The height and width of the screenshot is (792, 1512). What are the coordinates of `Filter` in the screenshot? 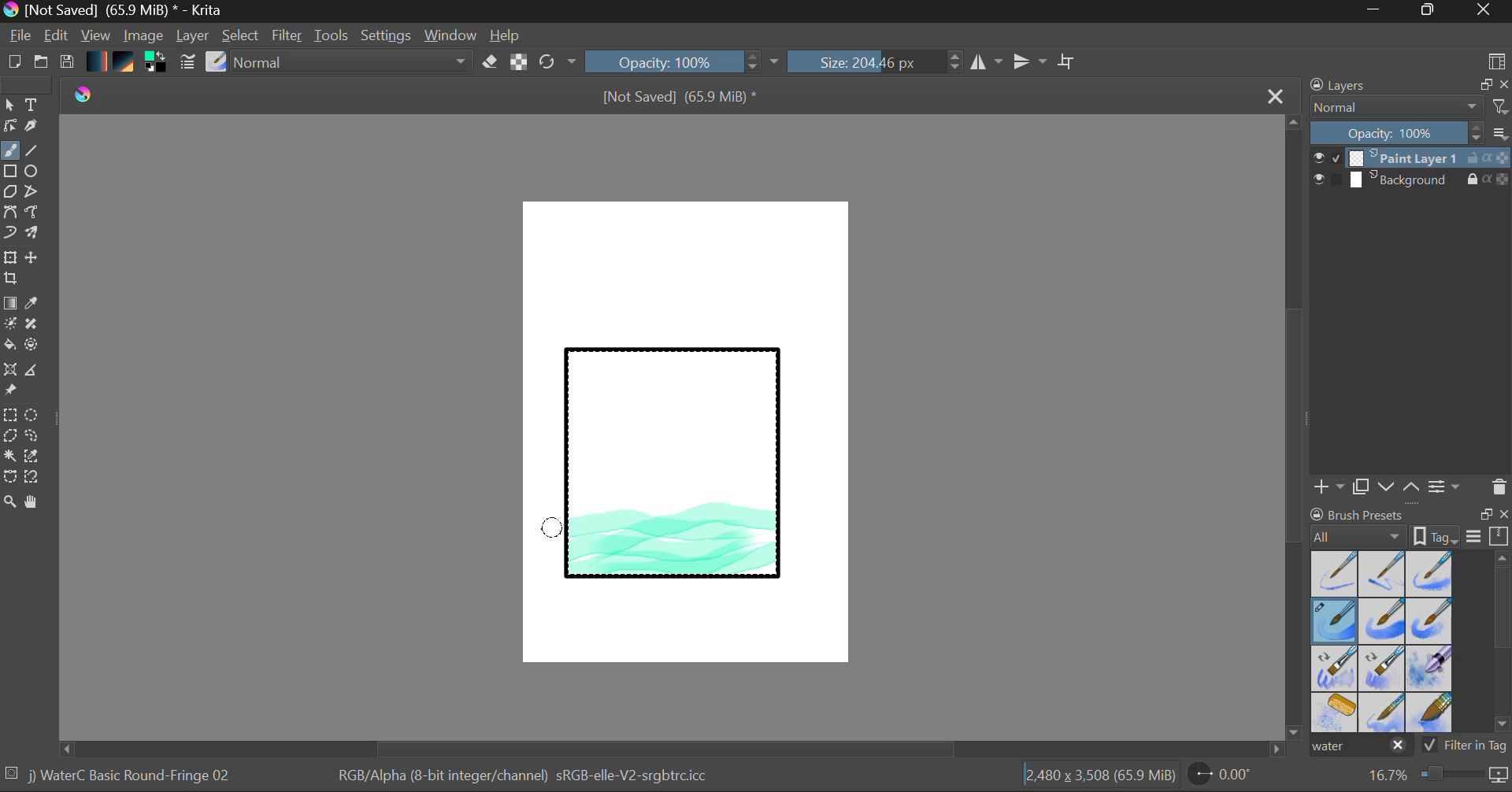 It's located at (289, 38).